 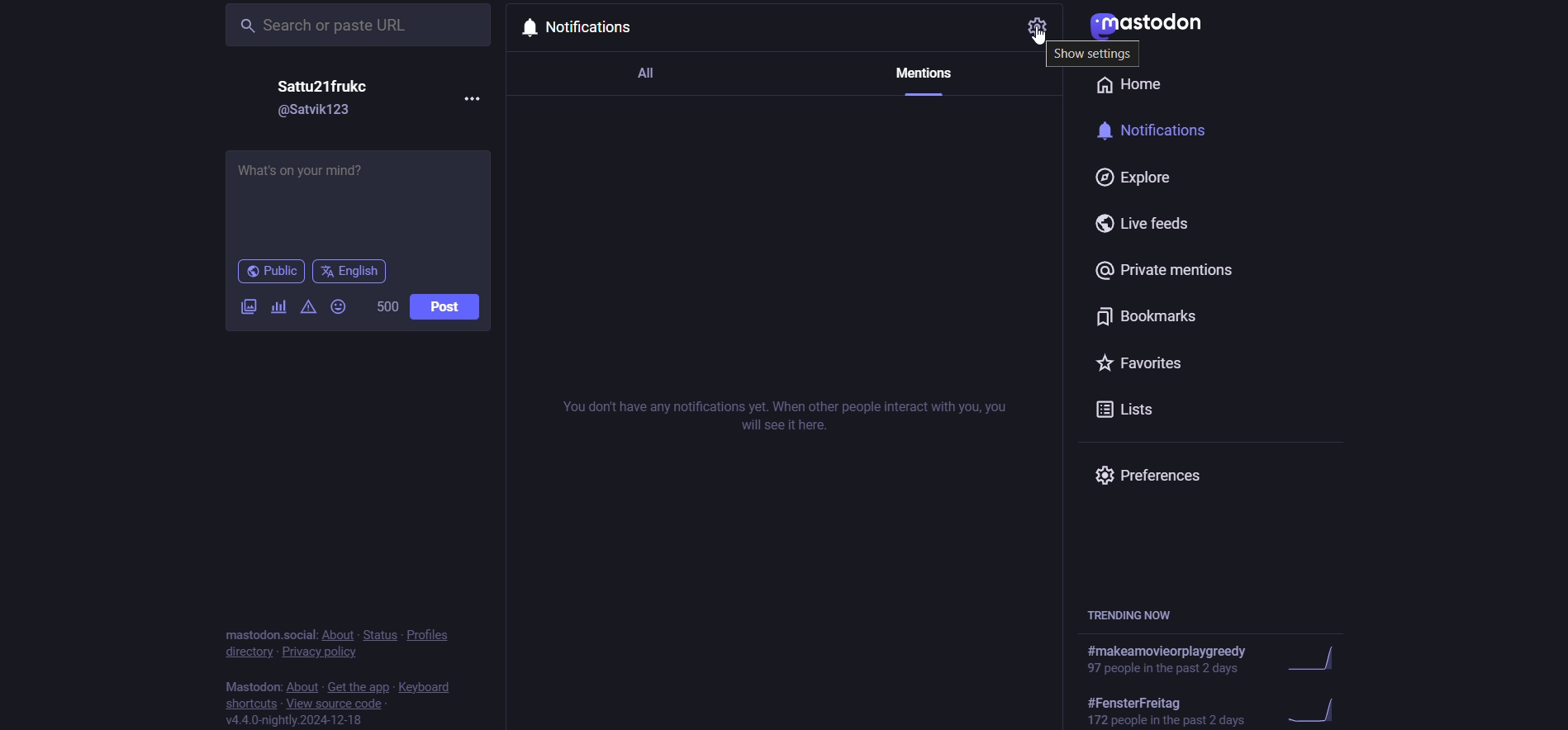 What do you see at coordinates (574, 29) in the screenshot?
I see `Notifications` at bounding box center [574, 29].